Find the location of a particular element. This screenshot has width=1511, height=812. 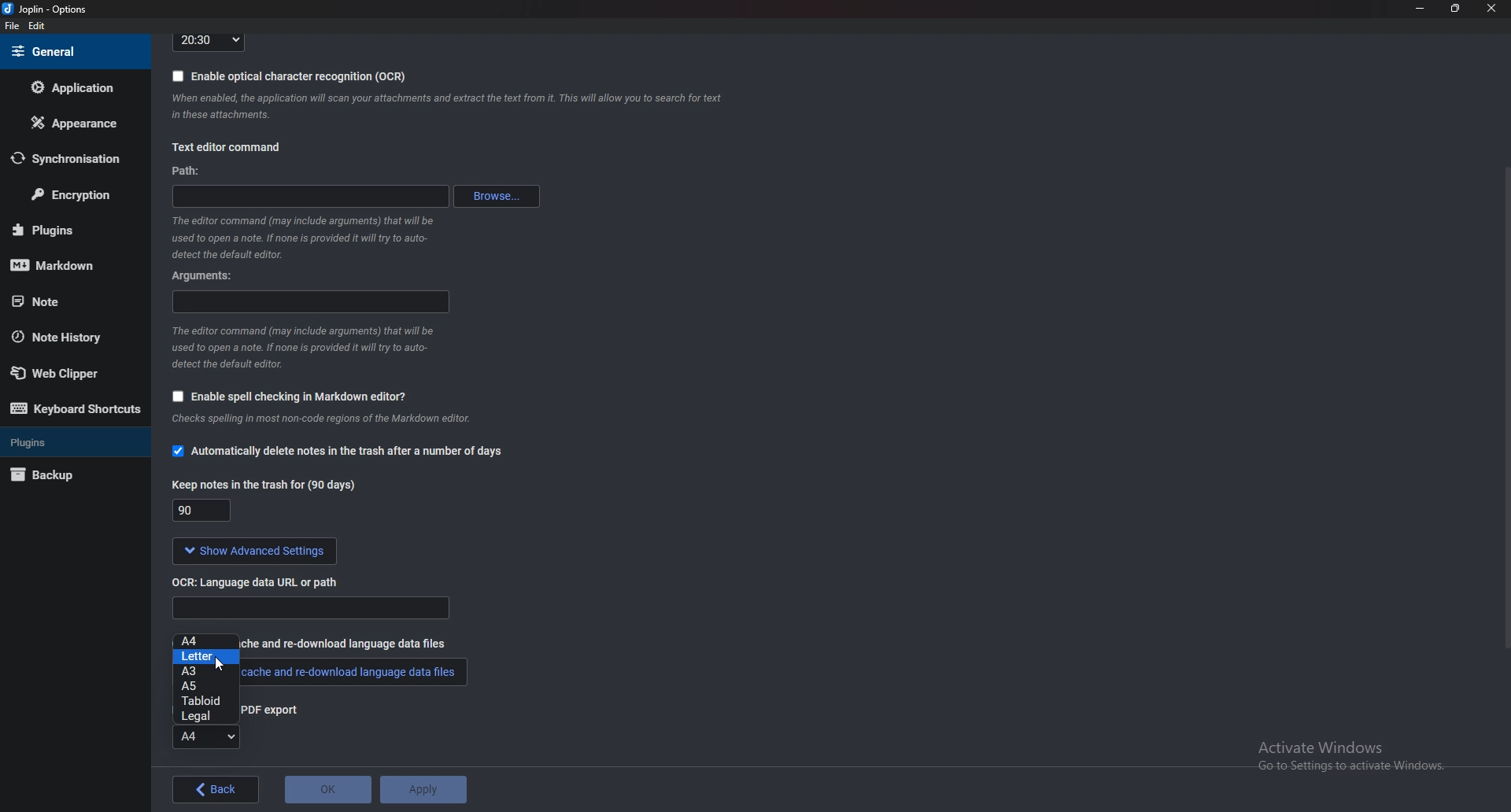

path is located at coordinates (188, 172).